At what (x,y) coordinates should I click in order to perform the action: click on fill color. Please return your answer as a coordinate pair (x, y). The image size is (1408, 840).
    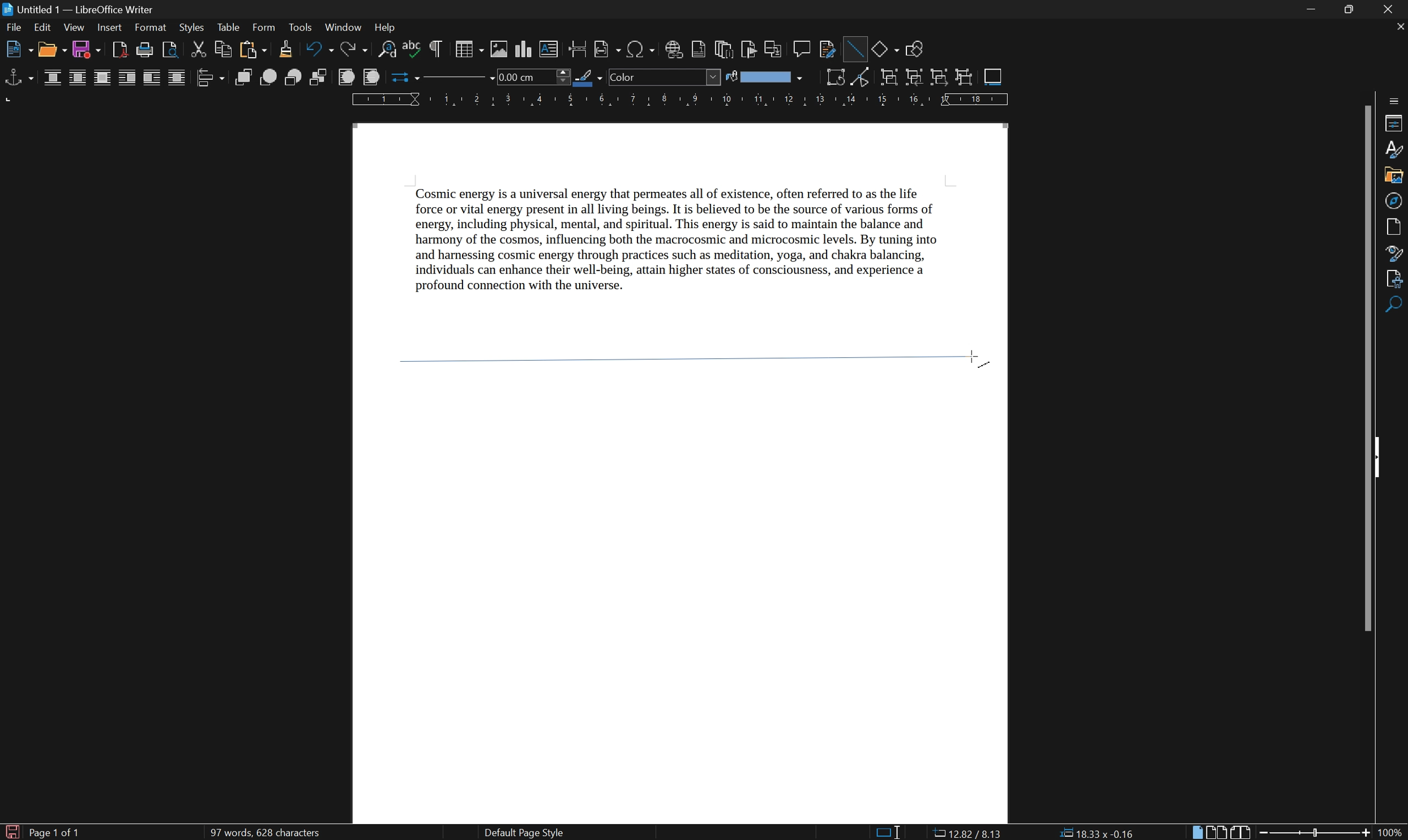
    Looking at the image, I should click on (764, 77).